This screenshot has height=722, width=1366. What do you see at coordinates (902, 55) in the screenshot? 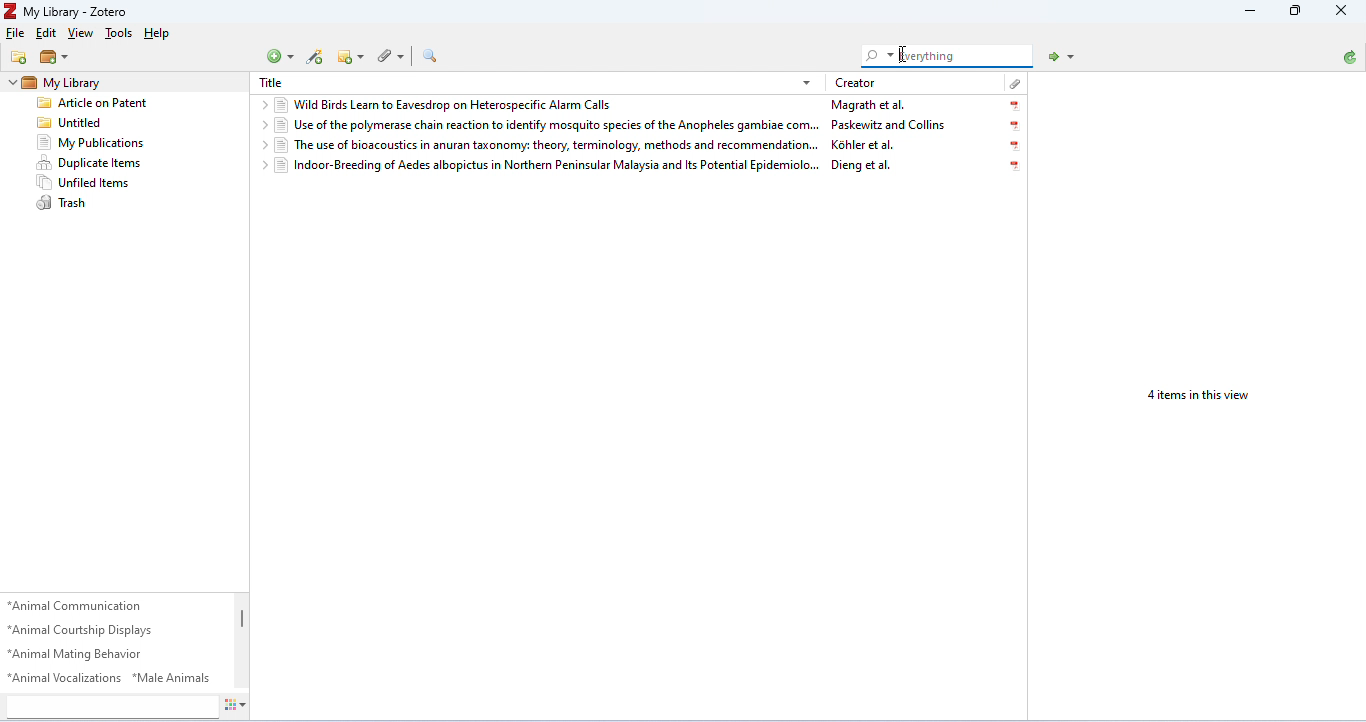
I see `Cursor Position` at bounding box center [902, 55].